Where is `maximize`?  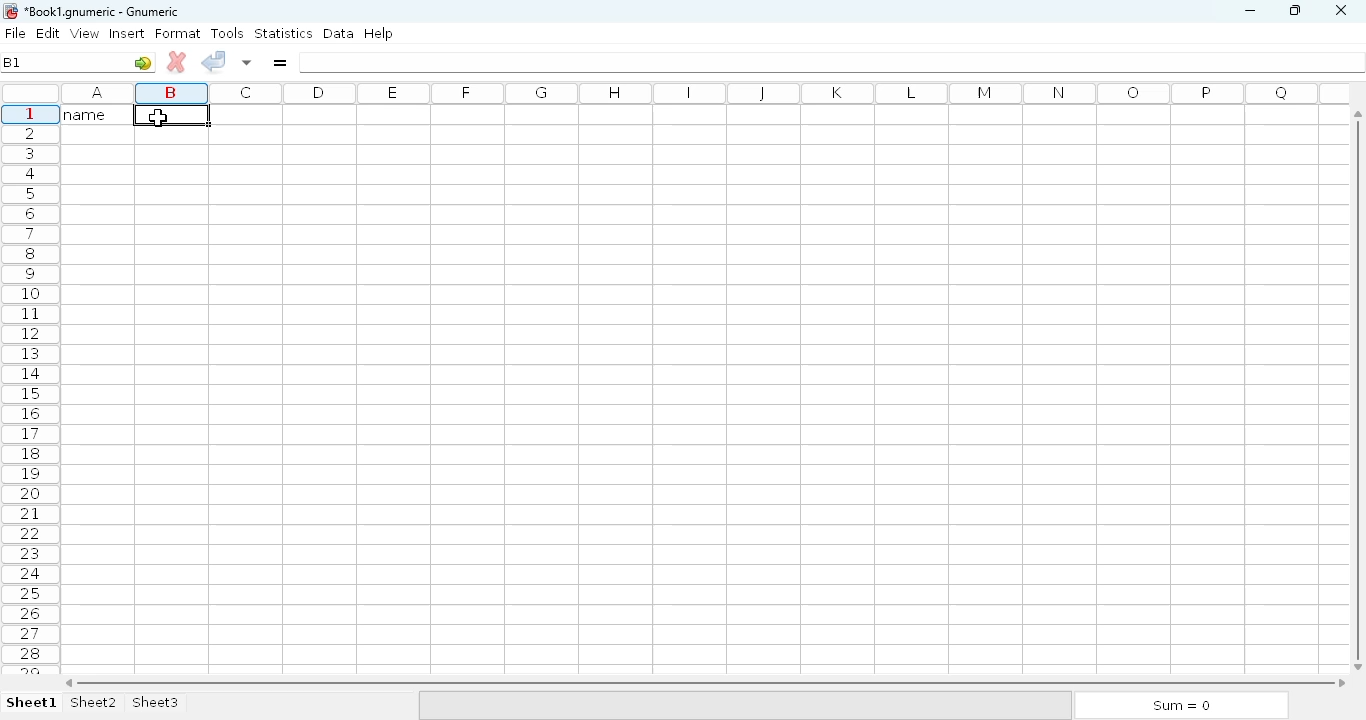 maximize is located at coordinates (1294, 9).